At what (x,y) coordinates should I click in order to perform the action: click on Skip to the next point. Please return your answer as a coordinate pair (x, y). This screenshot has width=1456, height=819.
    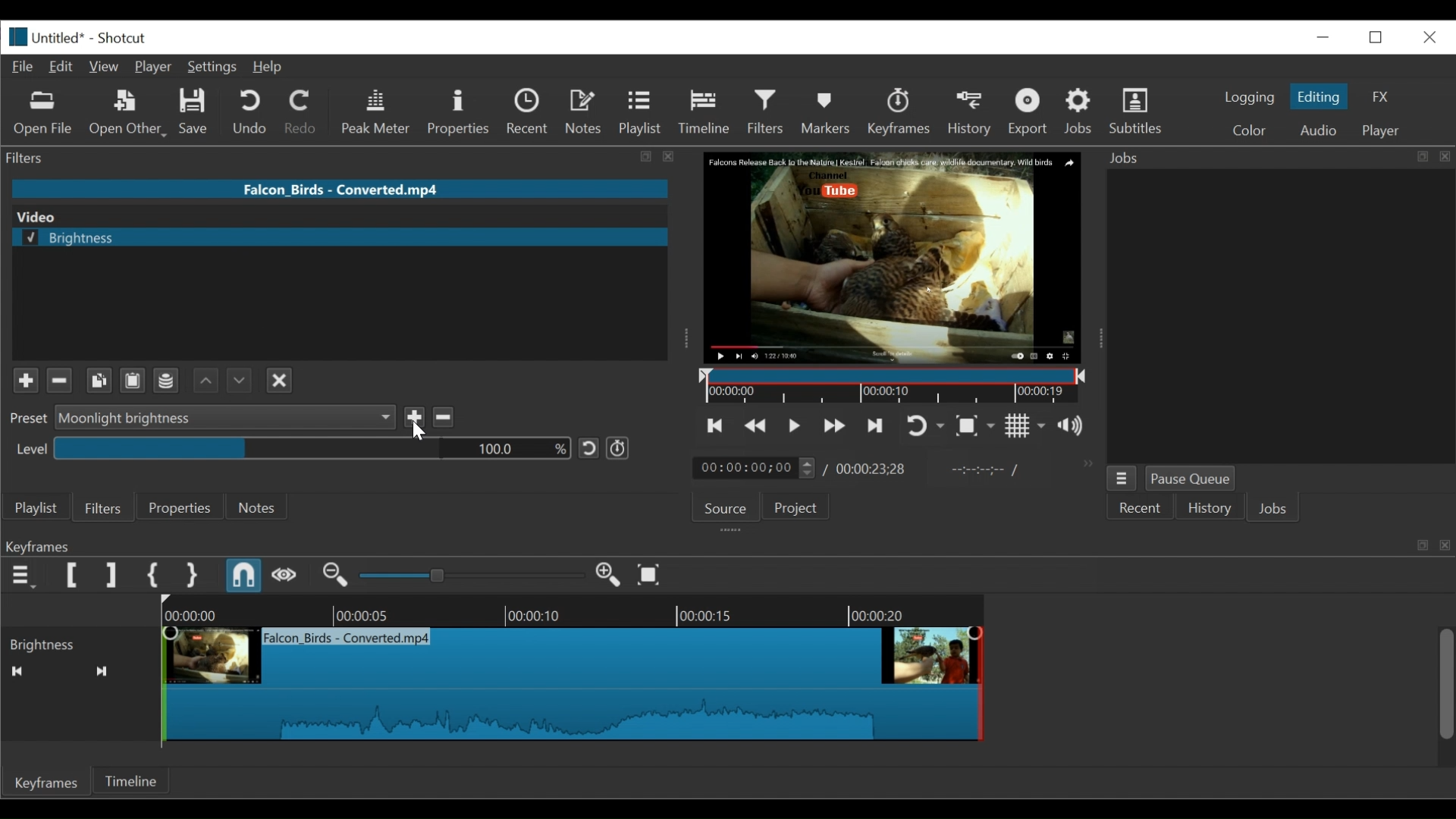
    Looking at the image, I should click on (872, 427).